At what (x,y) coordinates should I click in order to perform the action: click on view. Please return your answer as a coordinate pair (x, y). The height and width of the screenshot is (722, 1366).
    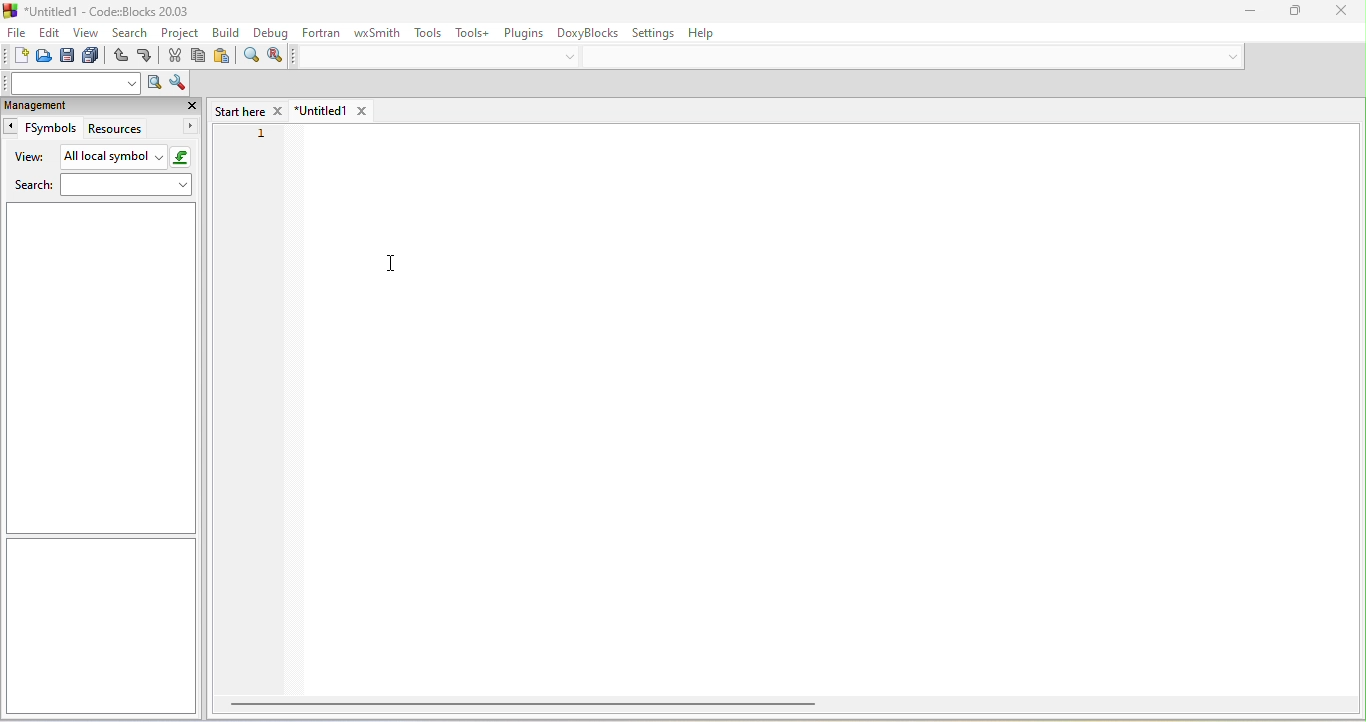
    Looking at the image, I should click on (30, 157).